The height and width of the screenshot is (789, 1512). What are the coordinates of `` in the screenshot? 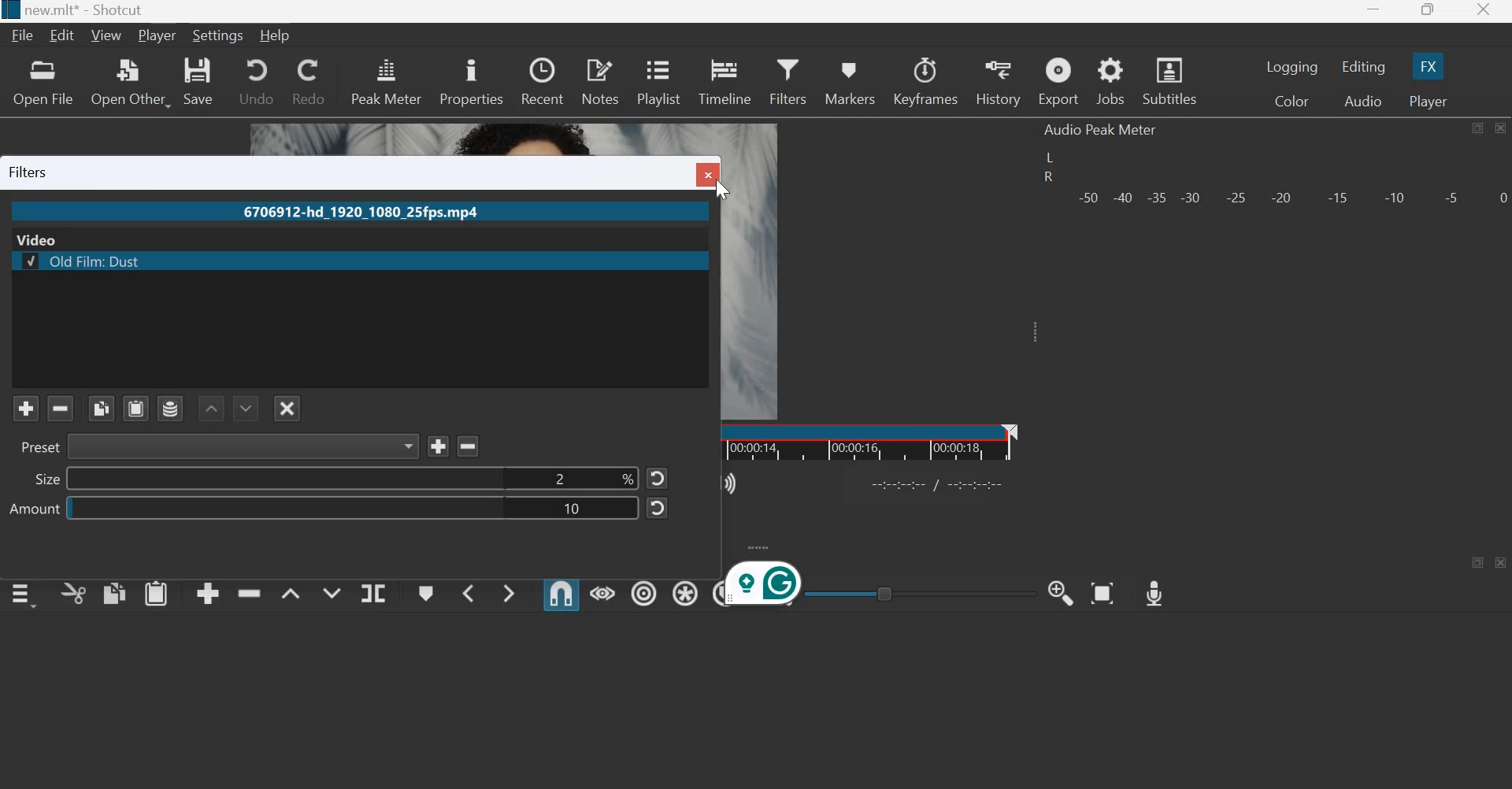 It's located at (9, 10).